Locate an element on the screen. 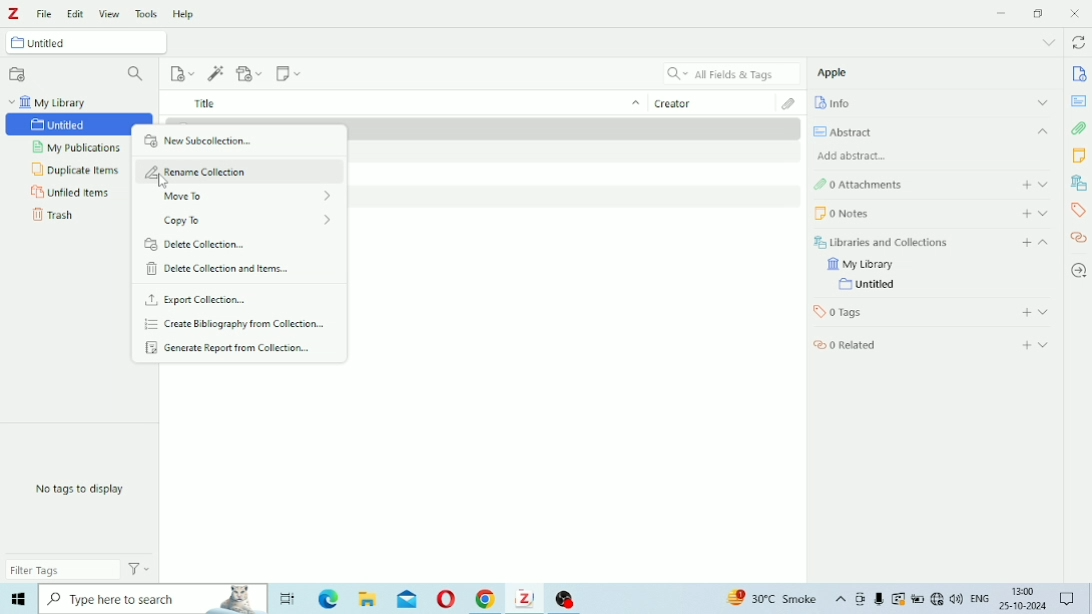   is located at coordinates (482, 598).